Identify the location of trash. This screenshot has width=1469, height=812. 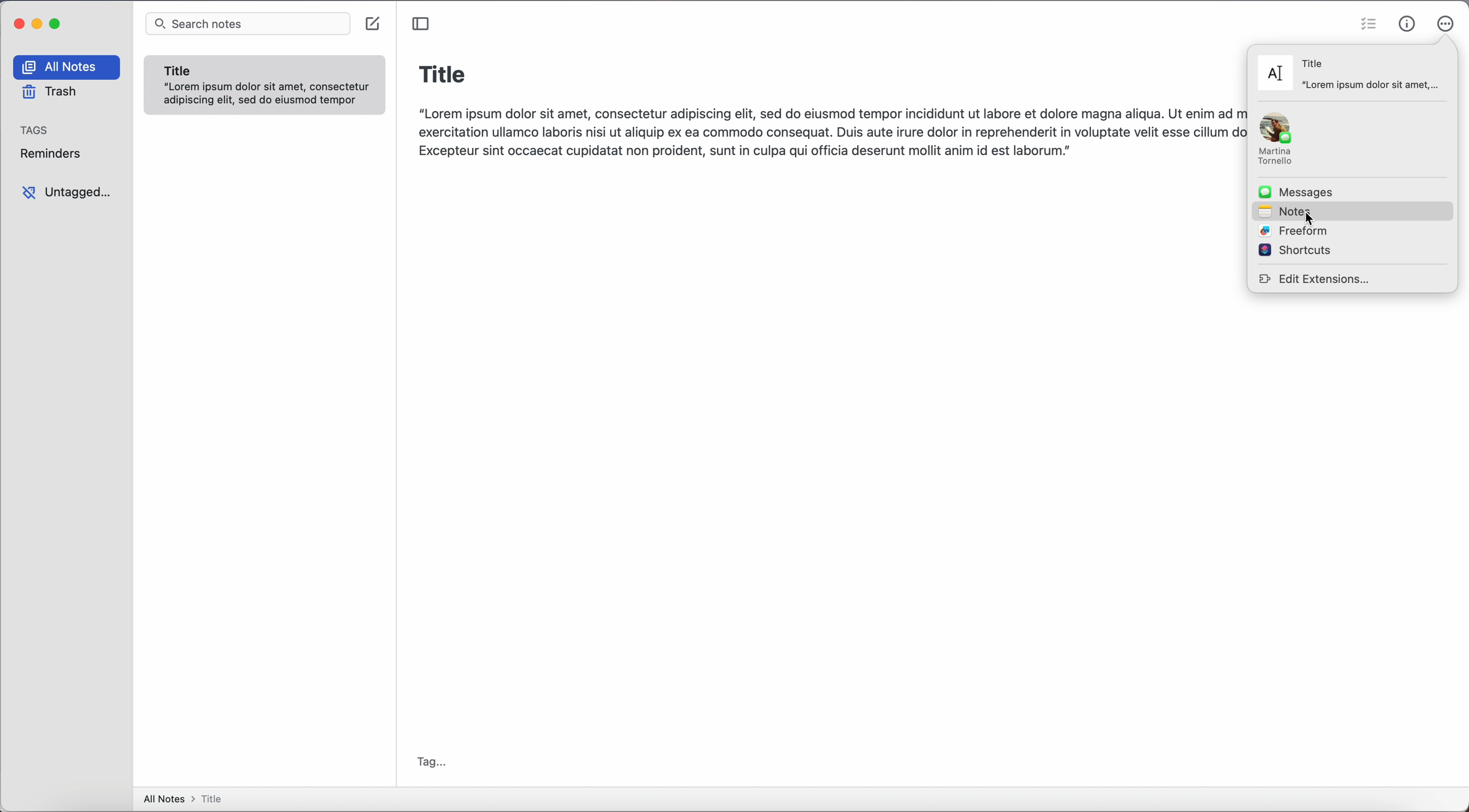
(48, 92).